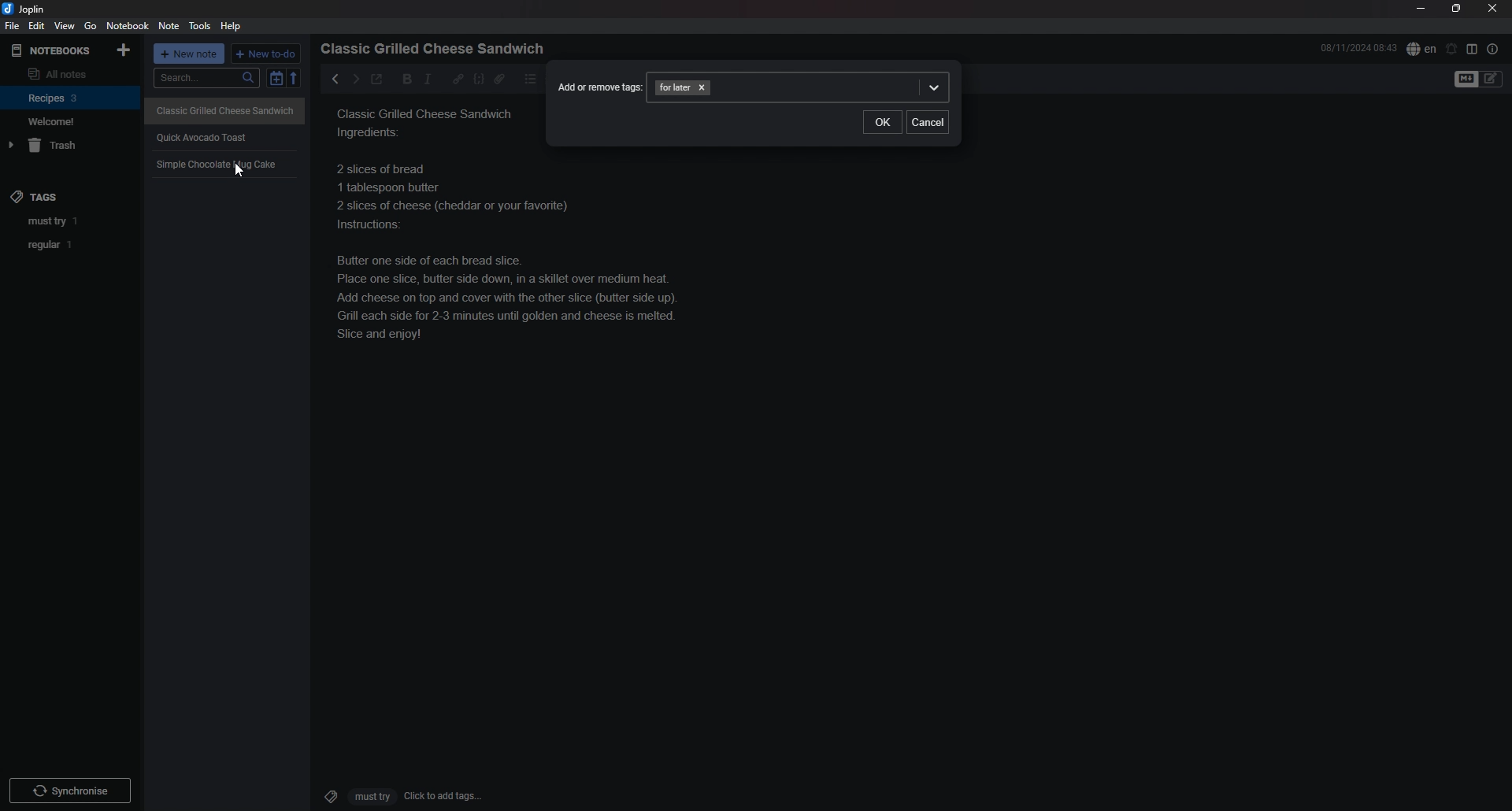  Describe the element at coordinates (72, 222) in the screenshot. I see `tag` at that location.